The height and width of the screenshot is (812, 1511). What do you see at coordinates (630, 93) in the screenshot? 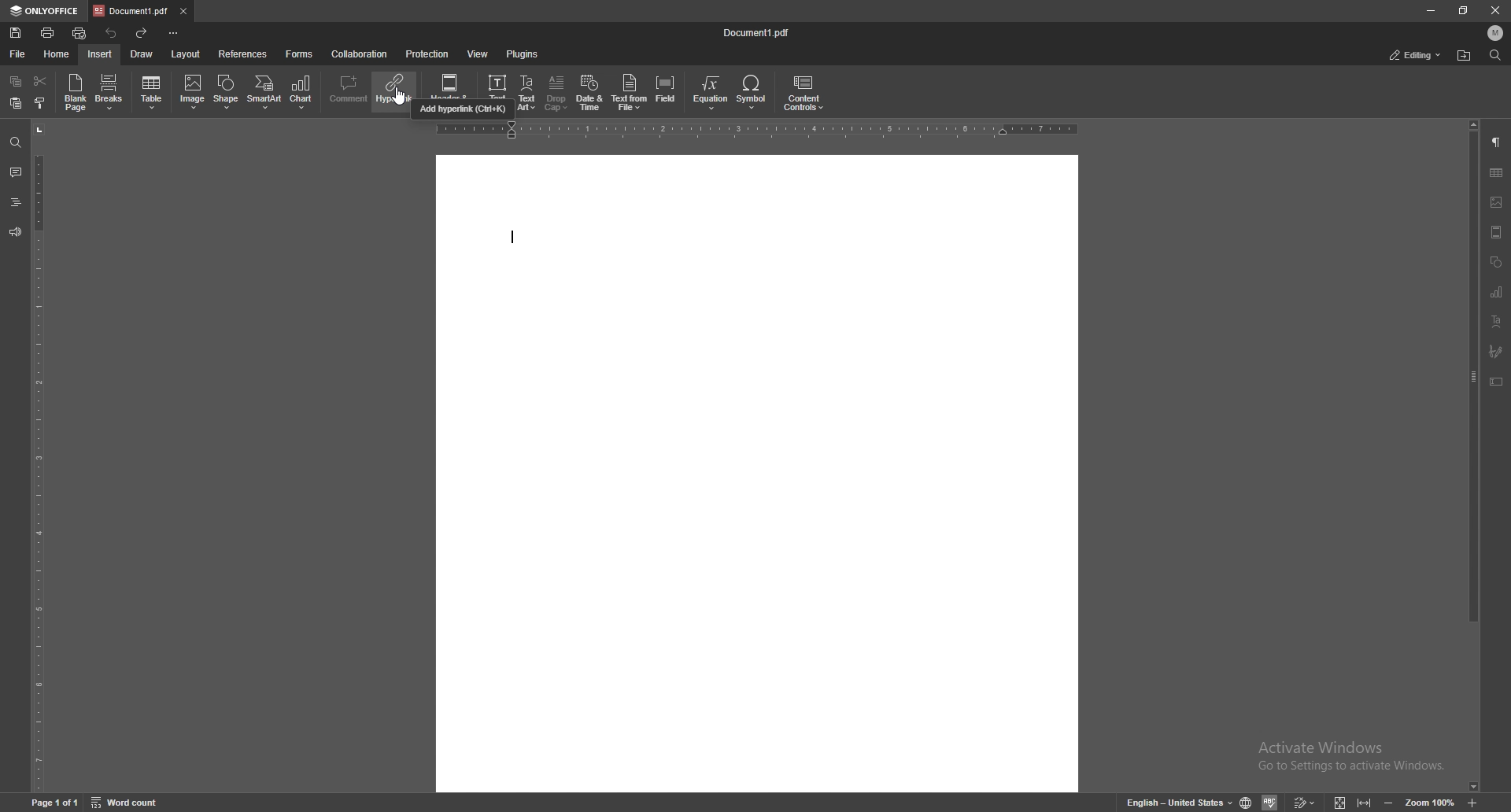
I see `text from file` at bounding box center [630, 93].